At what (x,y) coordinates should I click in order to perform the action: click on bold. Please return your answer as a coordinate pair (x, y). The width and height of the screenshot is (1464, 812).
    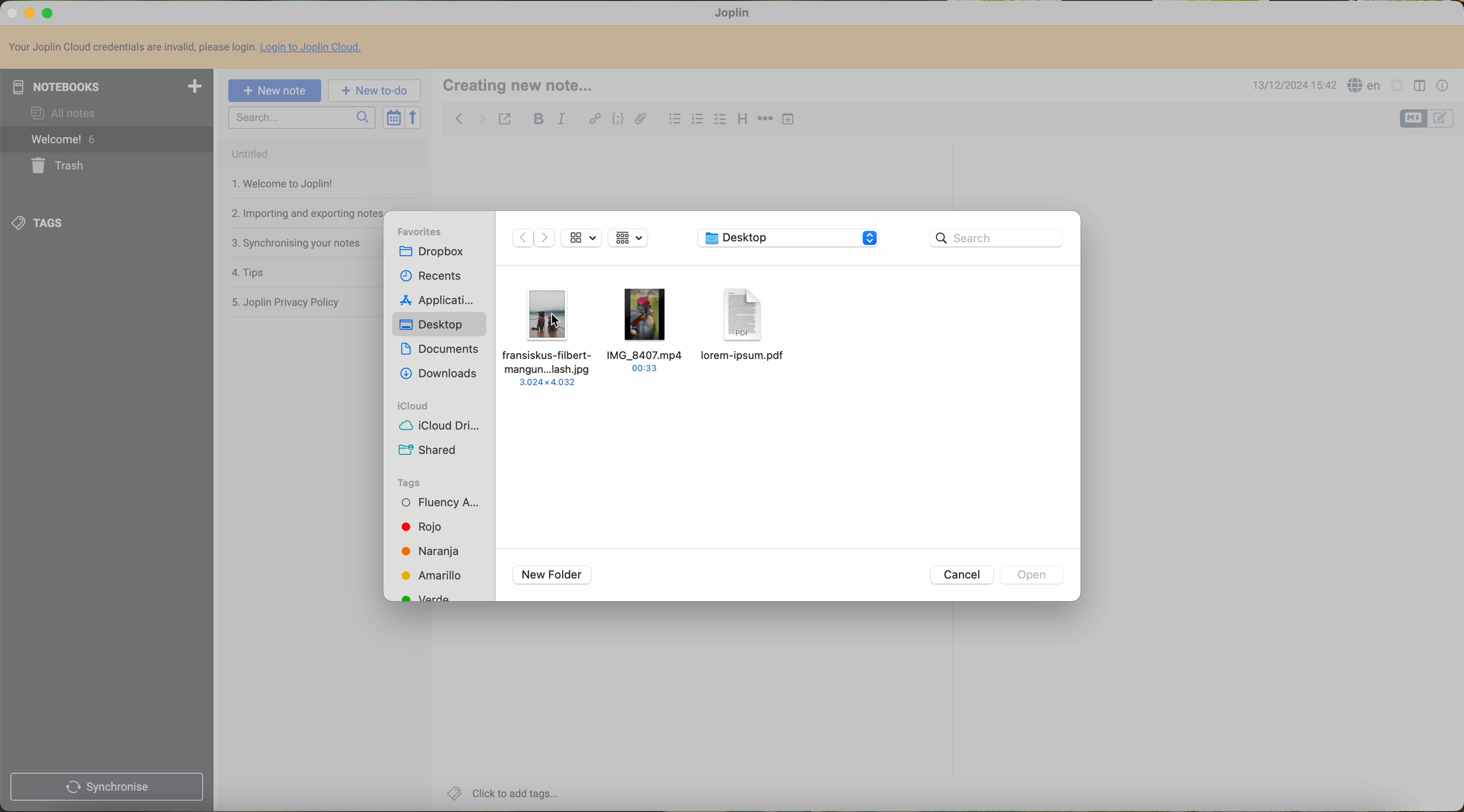
    Looking at the image, I should click on (539, 119).